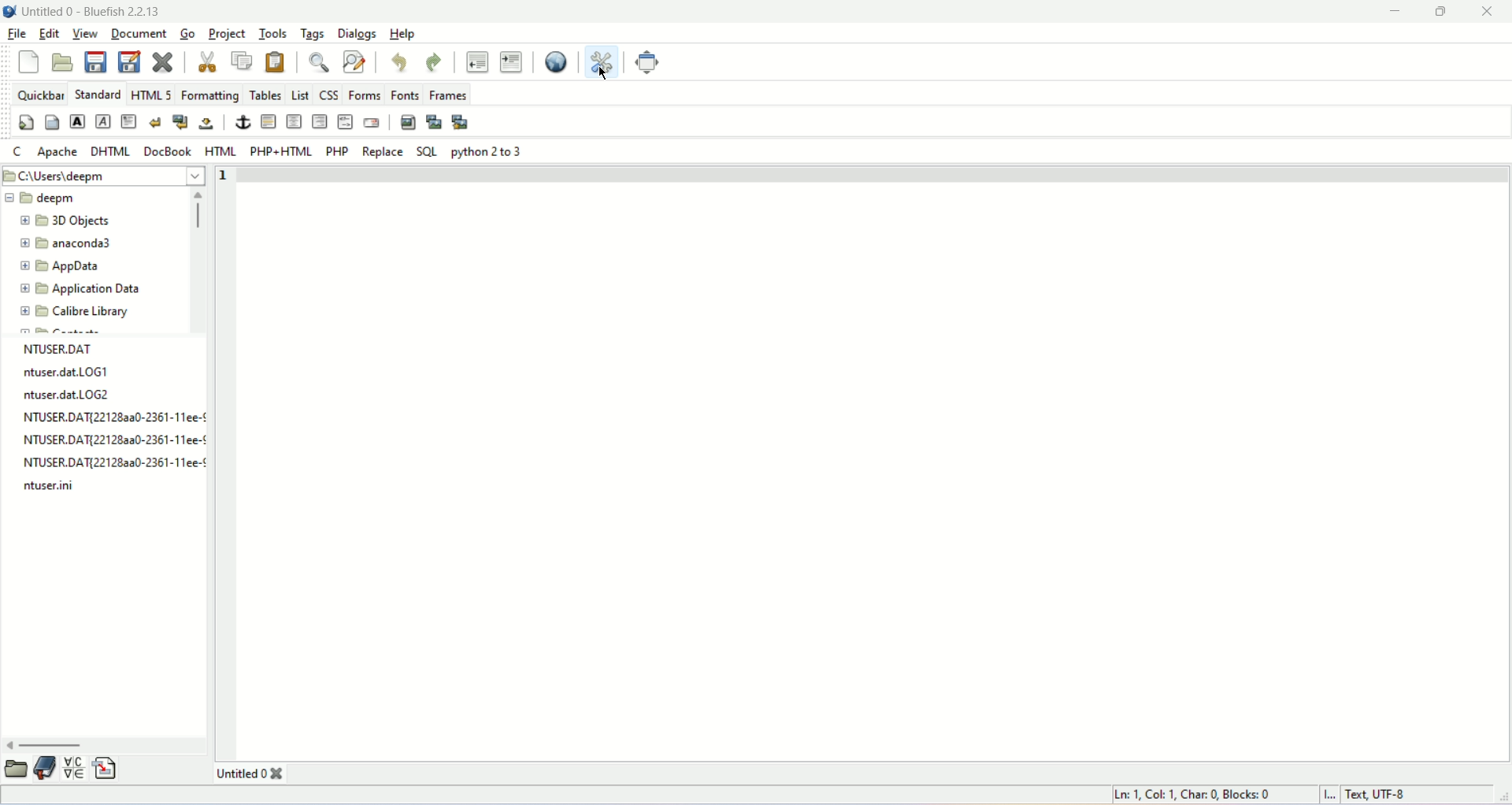 The image size is (1512, 805). I want to click on HTML, so click(220, 151).